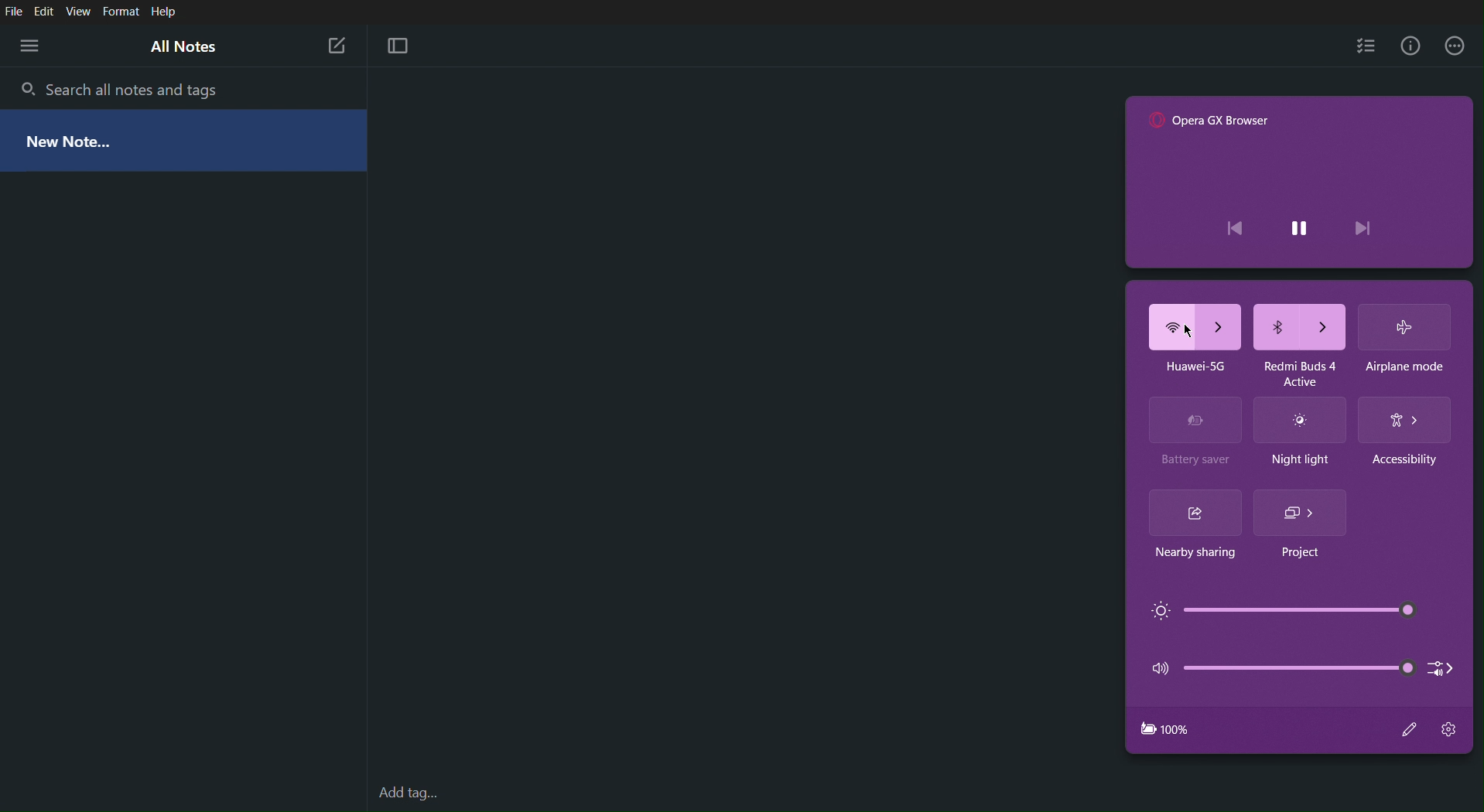 Image resolution: width=1484 pixels, height=812 pixels. Describe the element at coordinates (1404, 325) in the screenshot. I see `Airplane Mode` at that location.